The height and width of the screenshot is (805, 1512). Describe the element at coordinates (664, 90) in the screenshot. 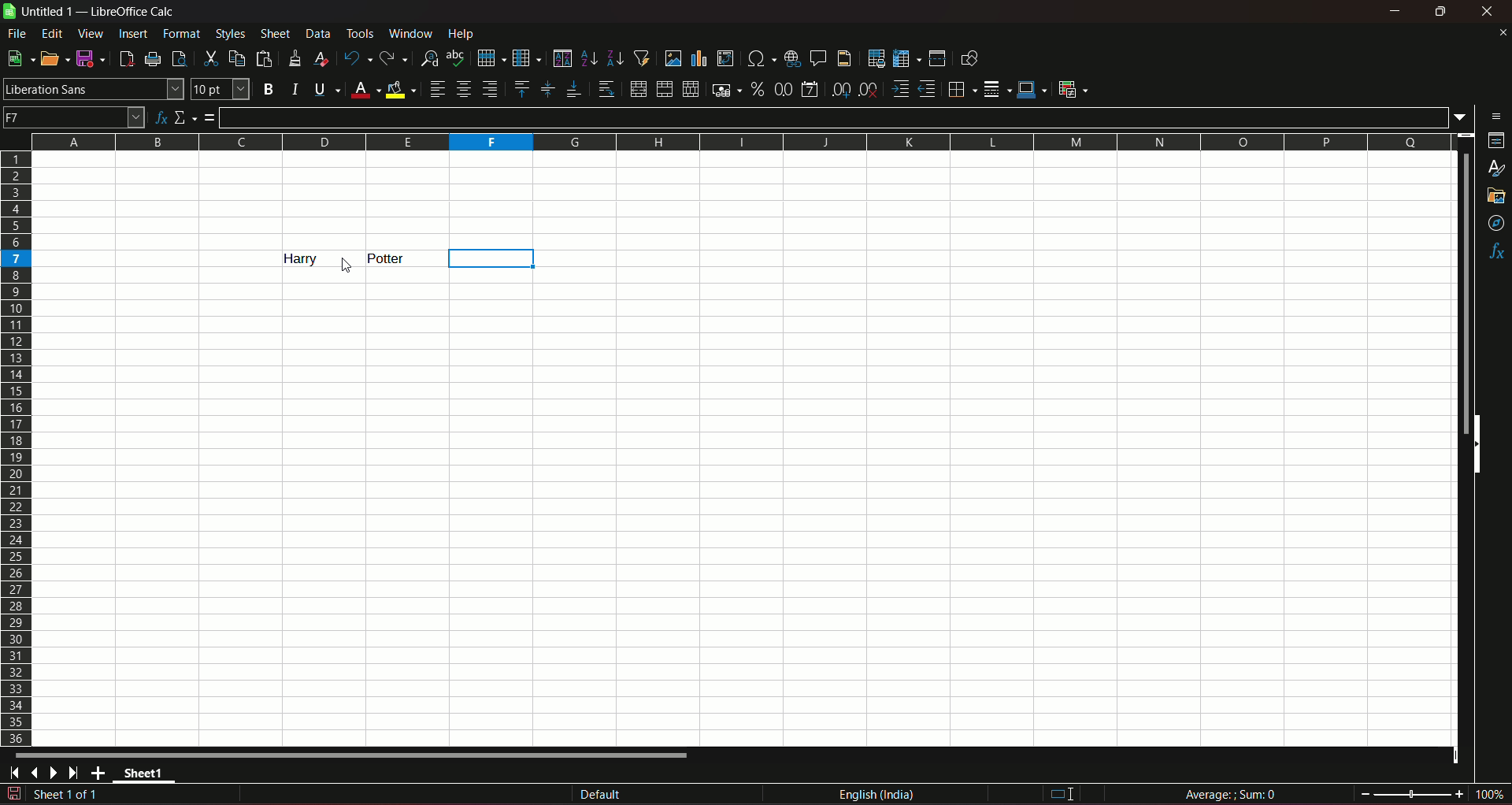

I see `merge` at that location.